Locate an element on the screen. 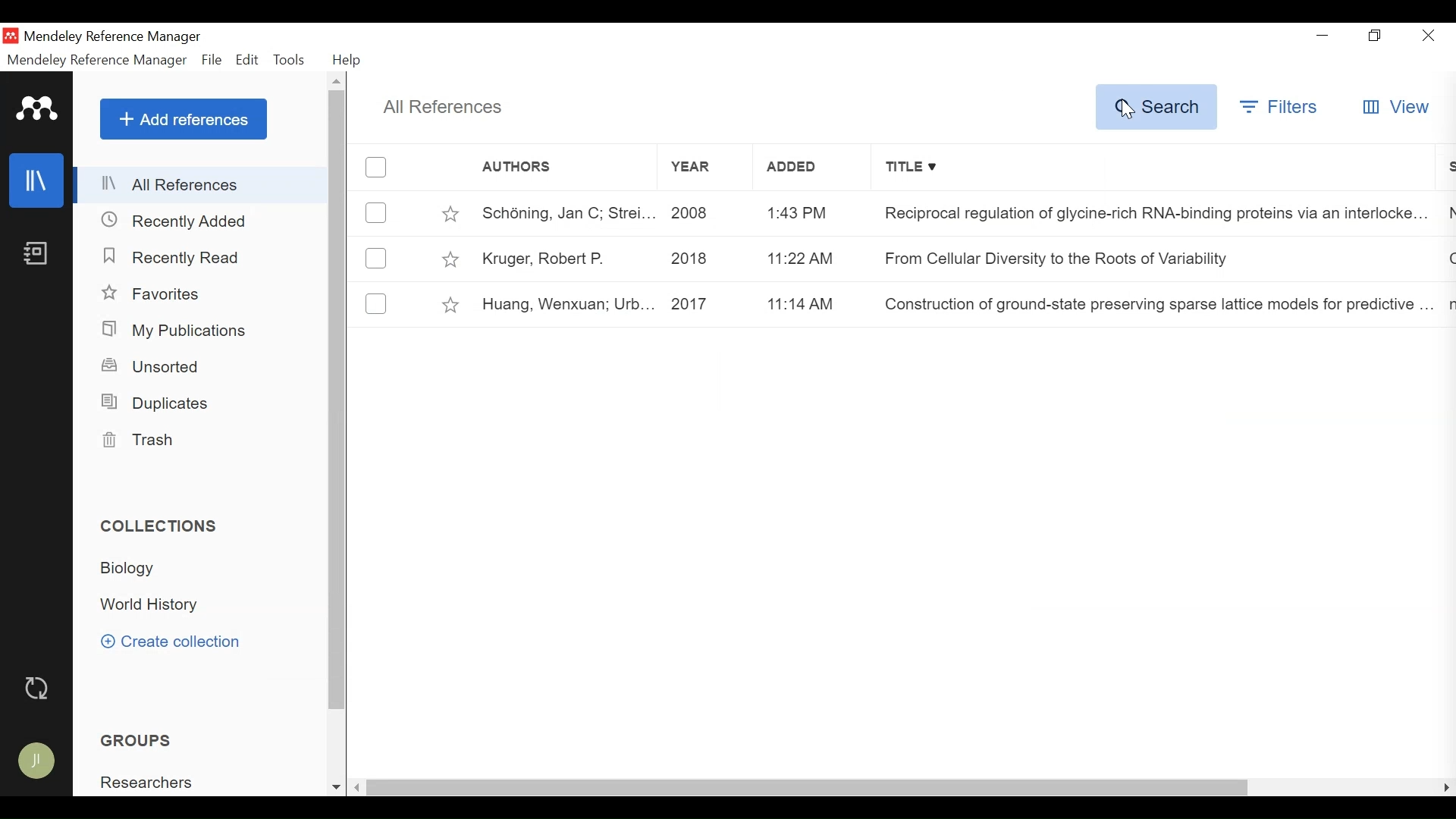  All References is located at coordinates (444, 108).